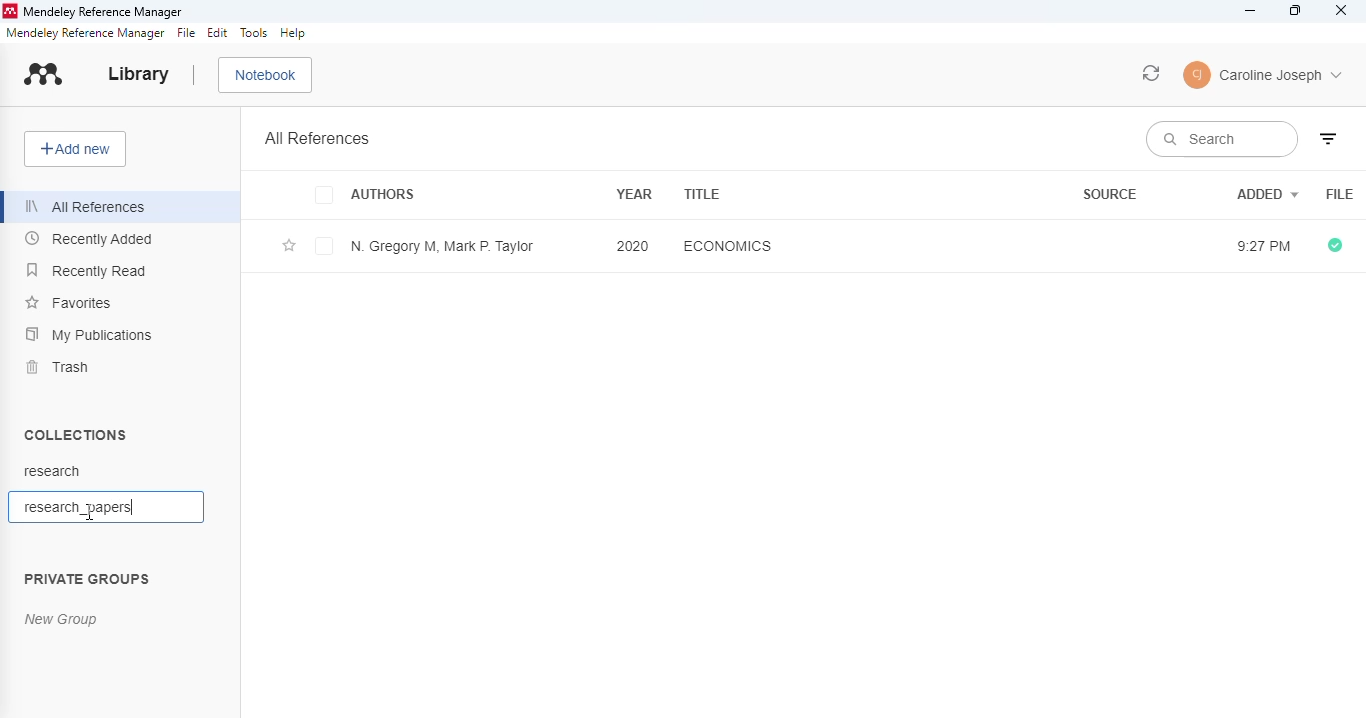 This screenshot has height=718, width=1366. Describe the element at coordinates (1296, 11) in the screenshot. I see `maximize` at that location.